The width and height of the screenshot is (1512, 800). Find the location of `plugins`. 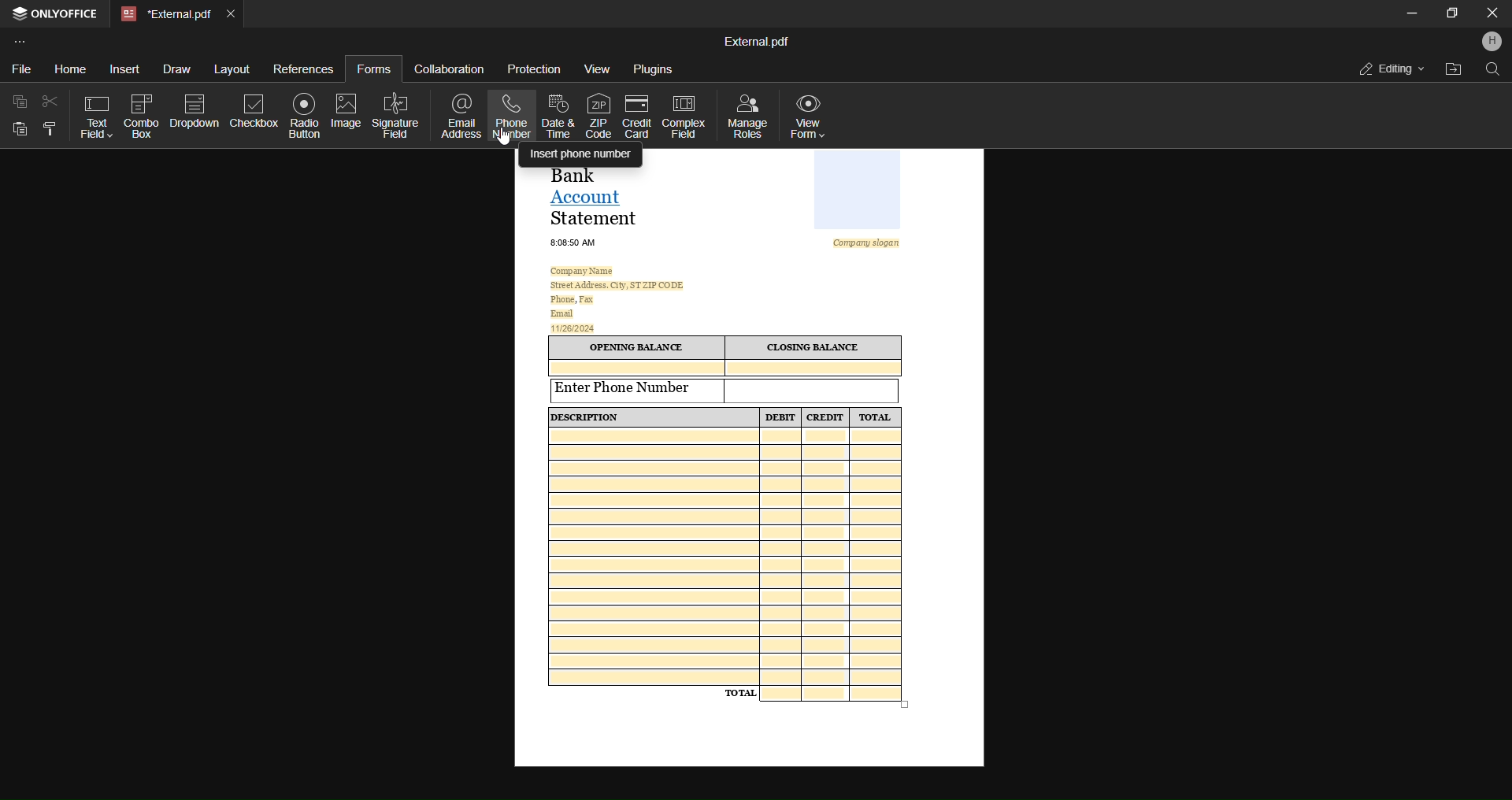

plugins is located at coordinates (654, 70).